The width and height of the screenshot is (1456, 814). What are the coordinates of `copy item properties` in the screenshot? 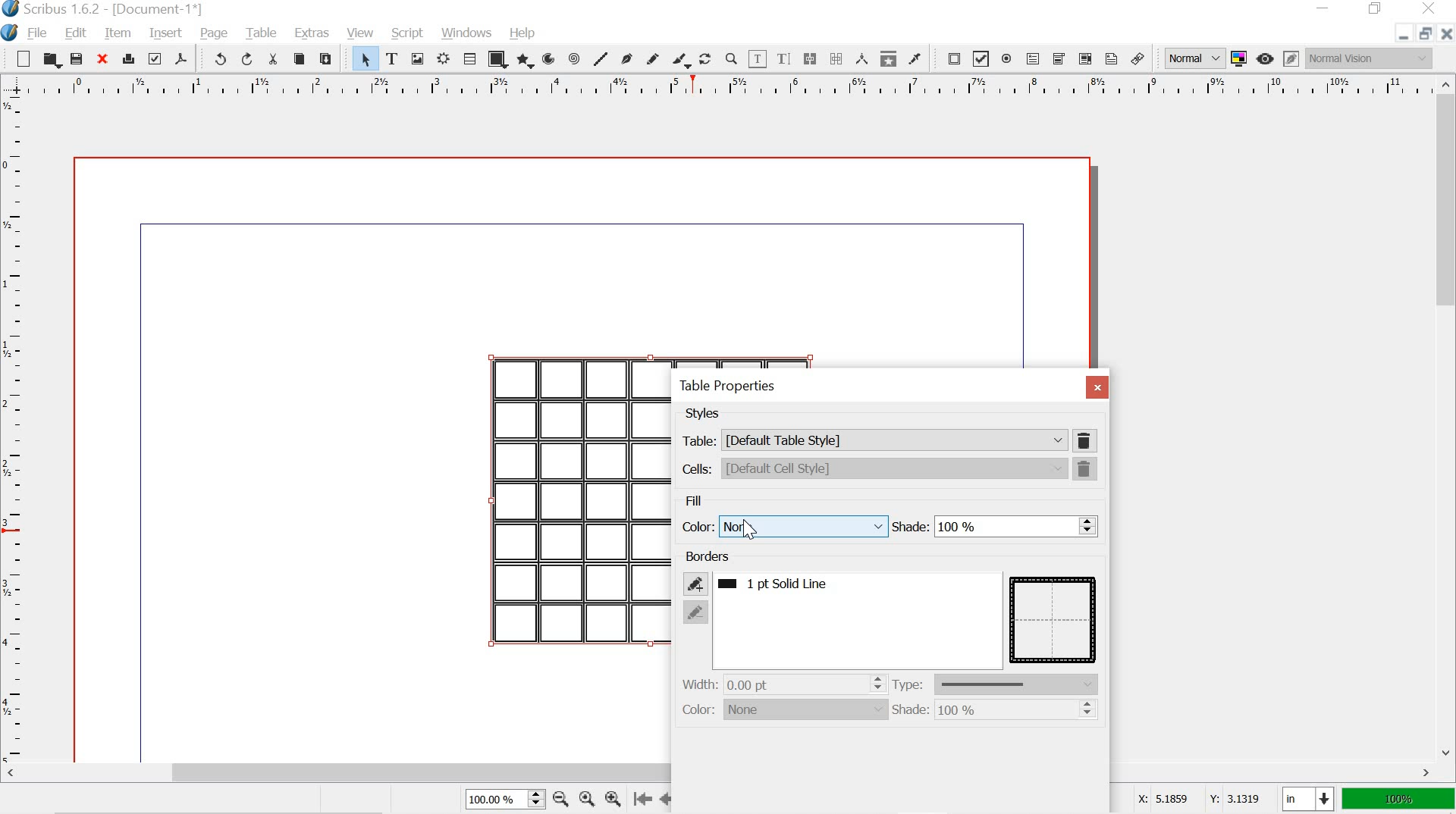 It's located at (886, 58).